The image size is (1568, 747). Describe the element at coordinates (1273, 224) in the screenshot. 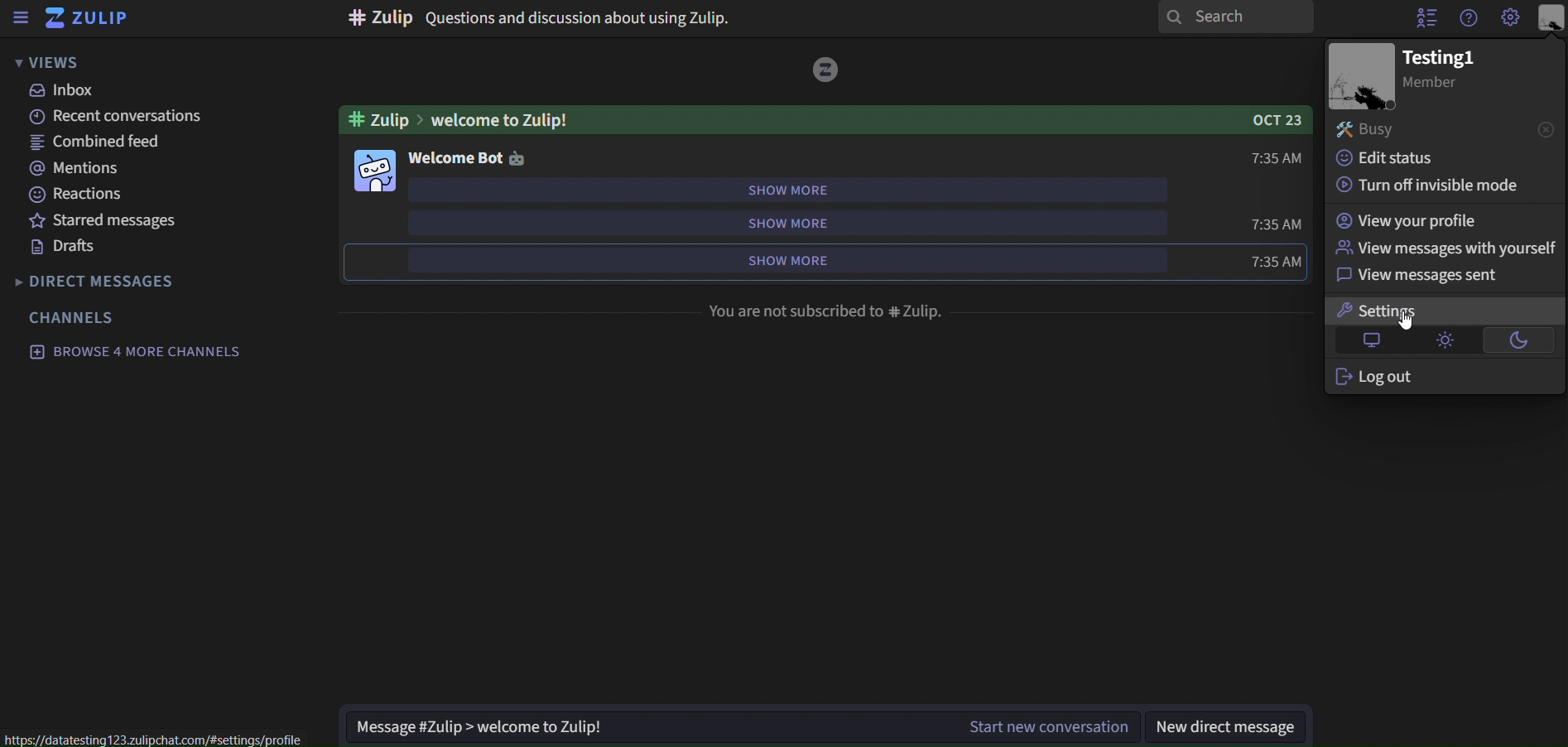

I see `7:35 AM` at that location.